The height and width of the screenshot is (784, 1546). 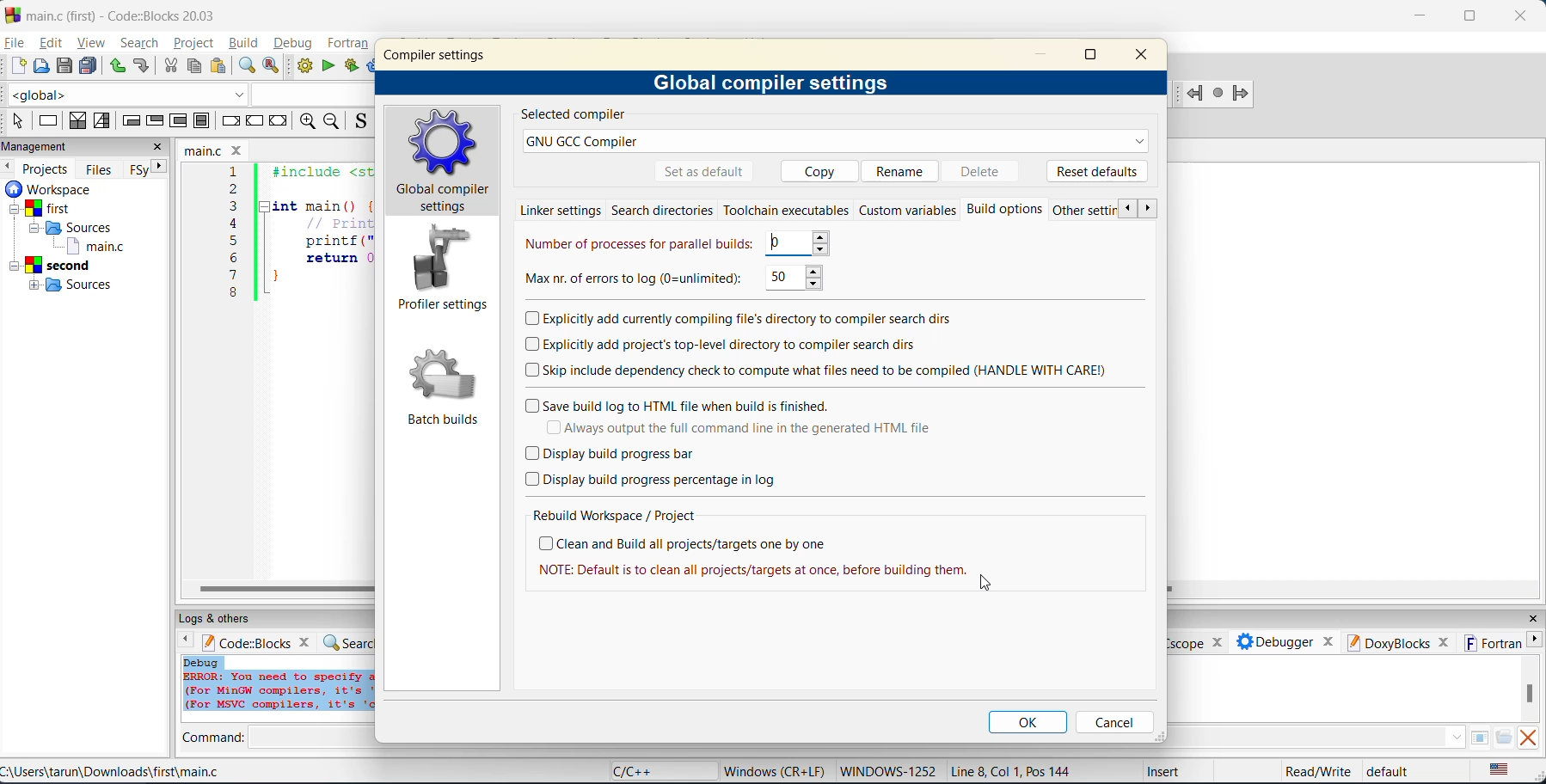 What do you see at coordinates (1195, 95) in the screenshot?
I see `jump back` at bounding box center [1195, 95].